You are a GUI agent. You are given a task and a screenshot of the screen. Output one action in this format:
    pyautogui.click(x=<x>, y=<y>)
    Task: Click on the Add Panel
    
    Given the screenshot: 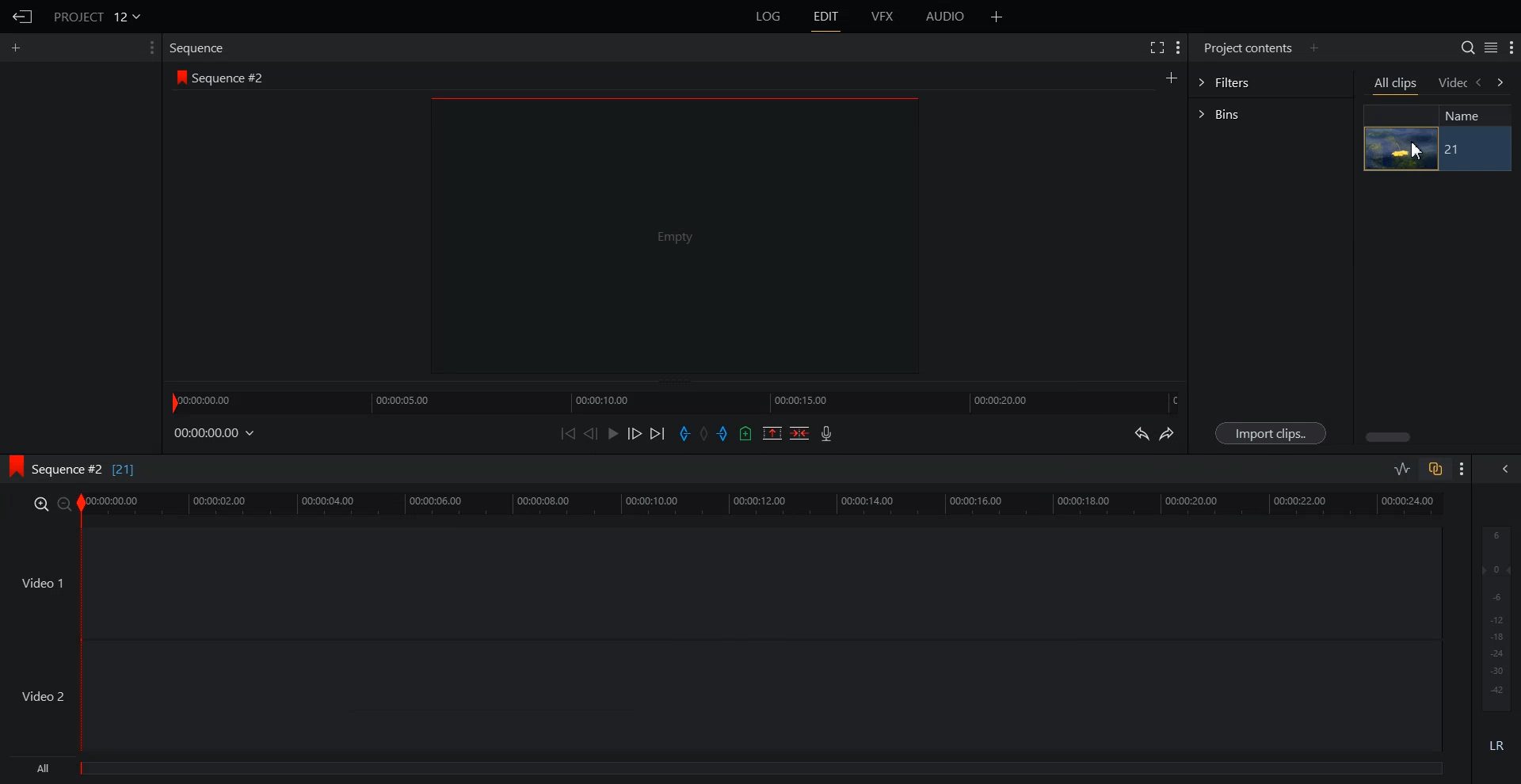 What is the action you would take?
    pyautogui.click(x=997, y=17)
    